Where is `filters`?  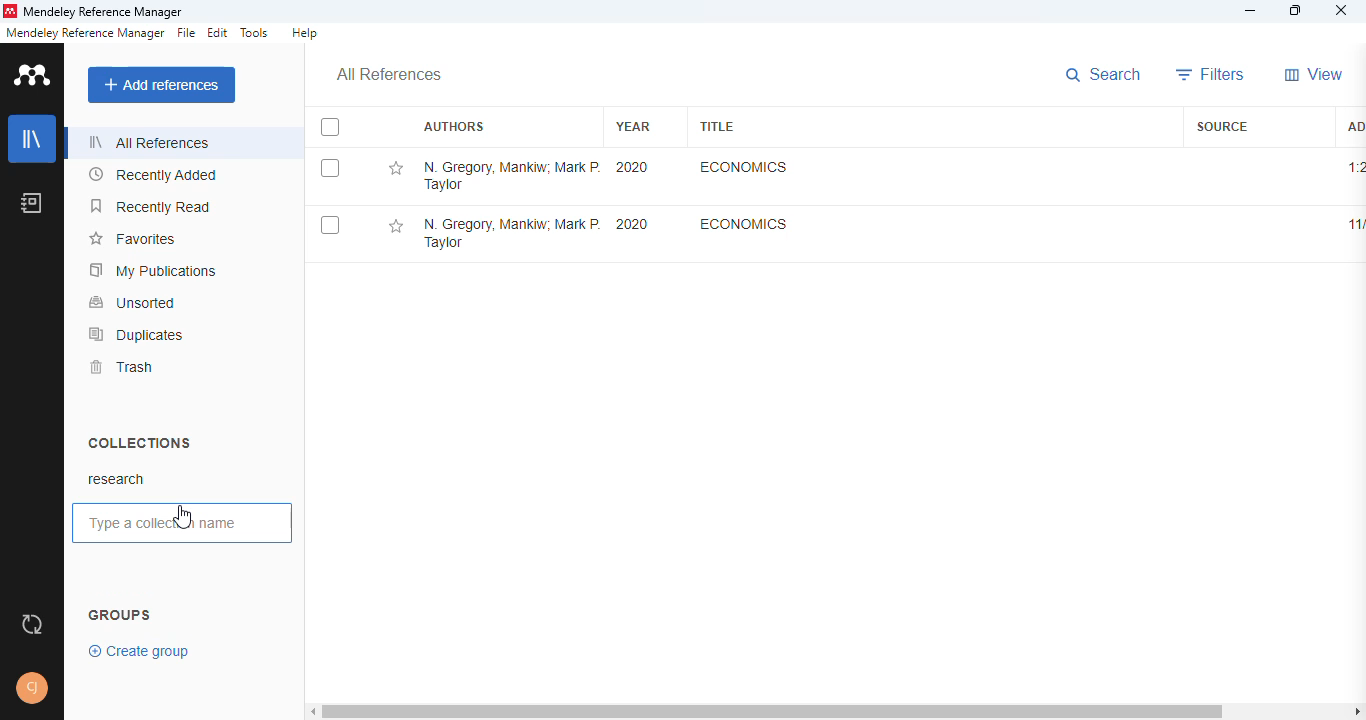
filters is located at coordinates (1211, 74).